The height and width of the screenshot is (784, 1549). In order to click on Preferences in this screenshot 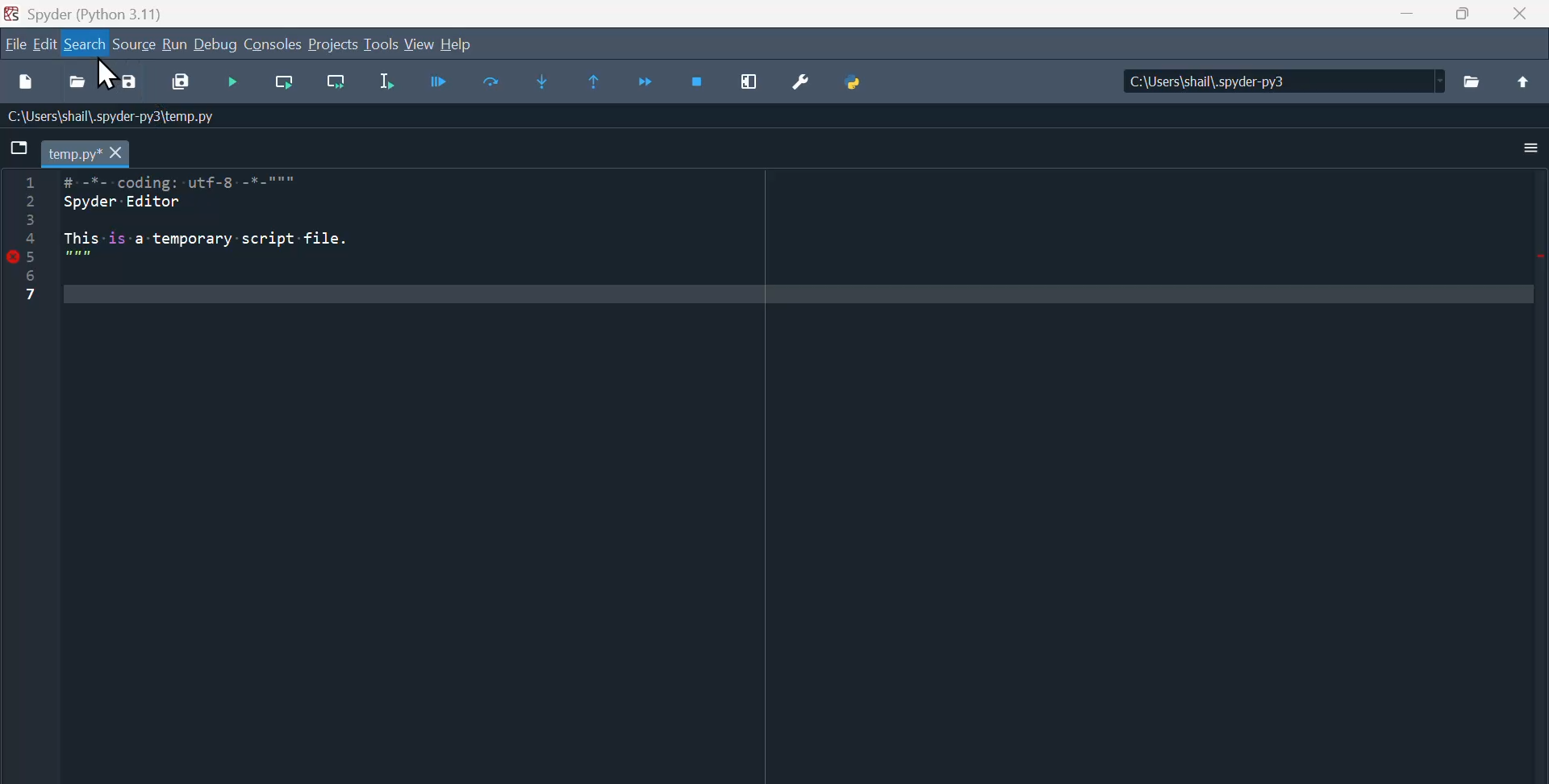, I will do `click(799, 83)`.